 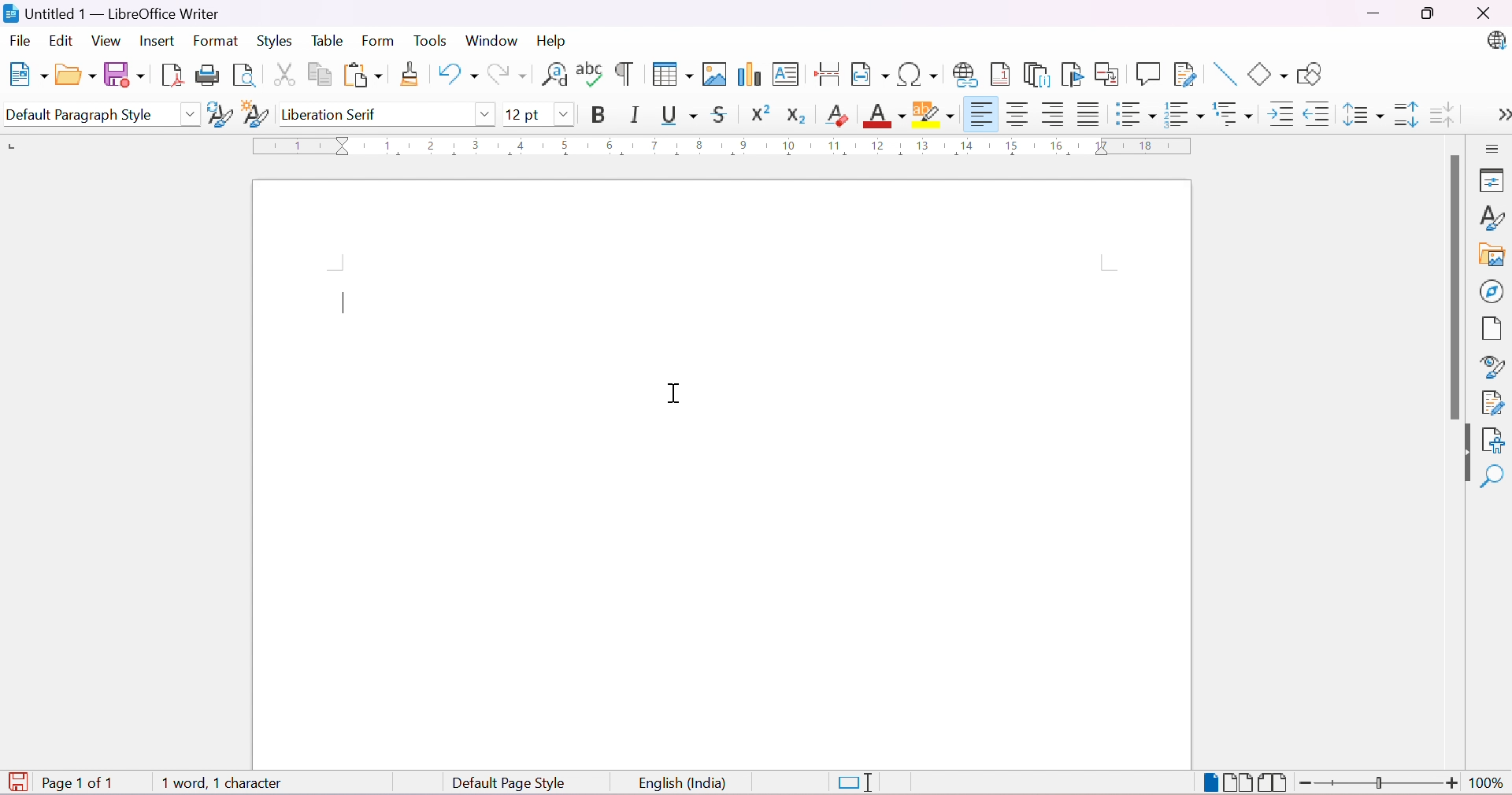 What do you see at coordinates (221, 785) in the screenshot?
I see `1 word, 1 character` at bounding box center [221, 785].